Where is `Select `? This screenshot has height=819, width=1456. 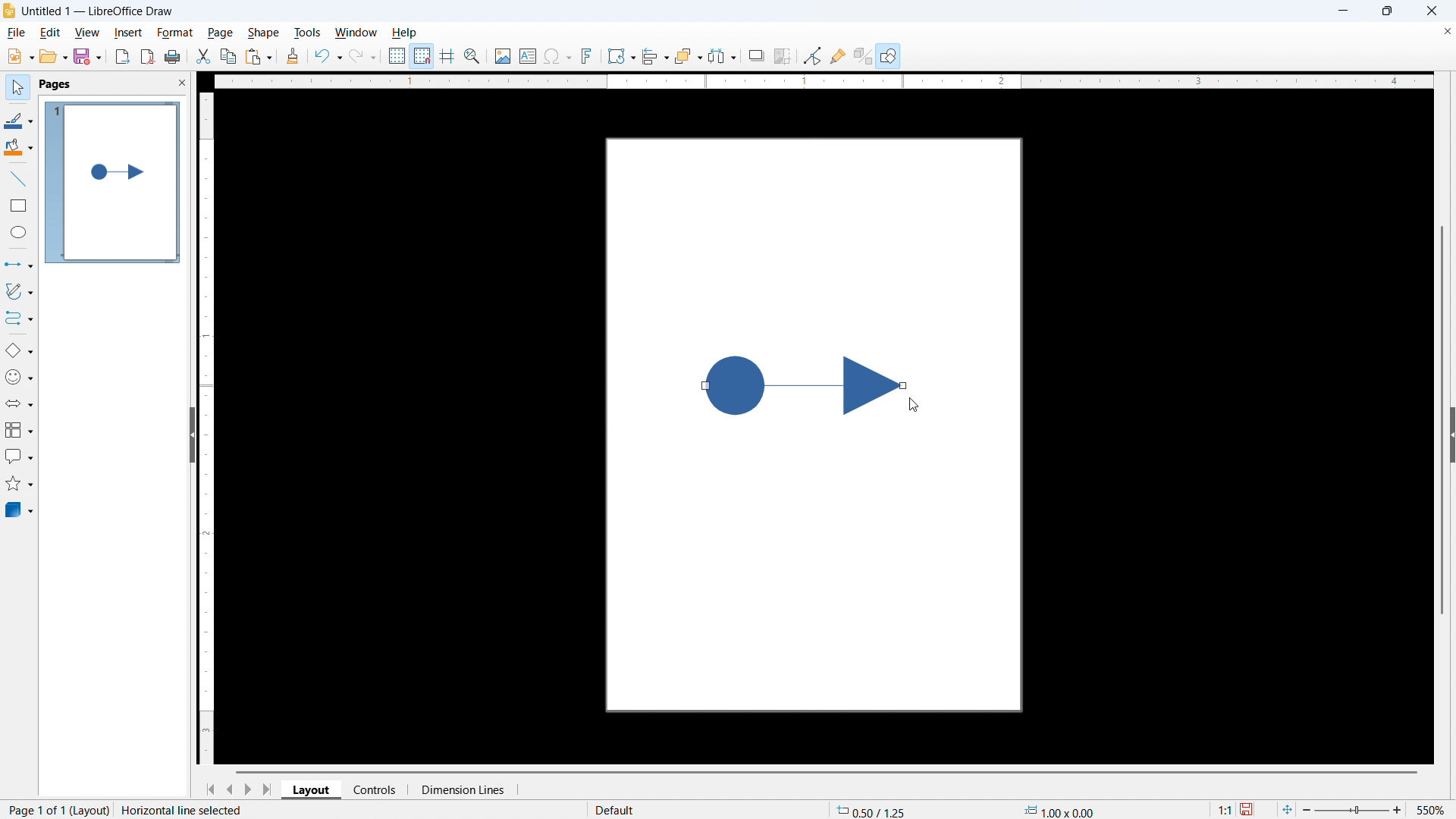
Select  is located at coordinates (18, 89).